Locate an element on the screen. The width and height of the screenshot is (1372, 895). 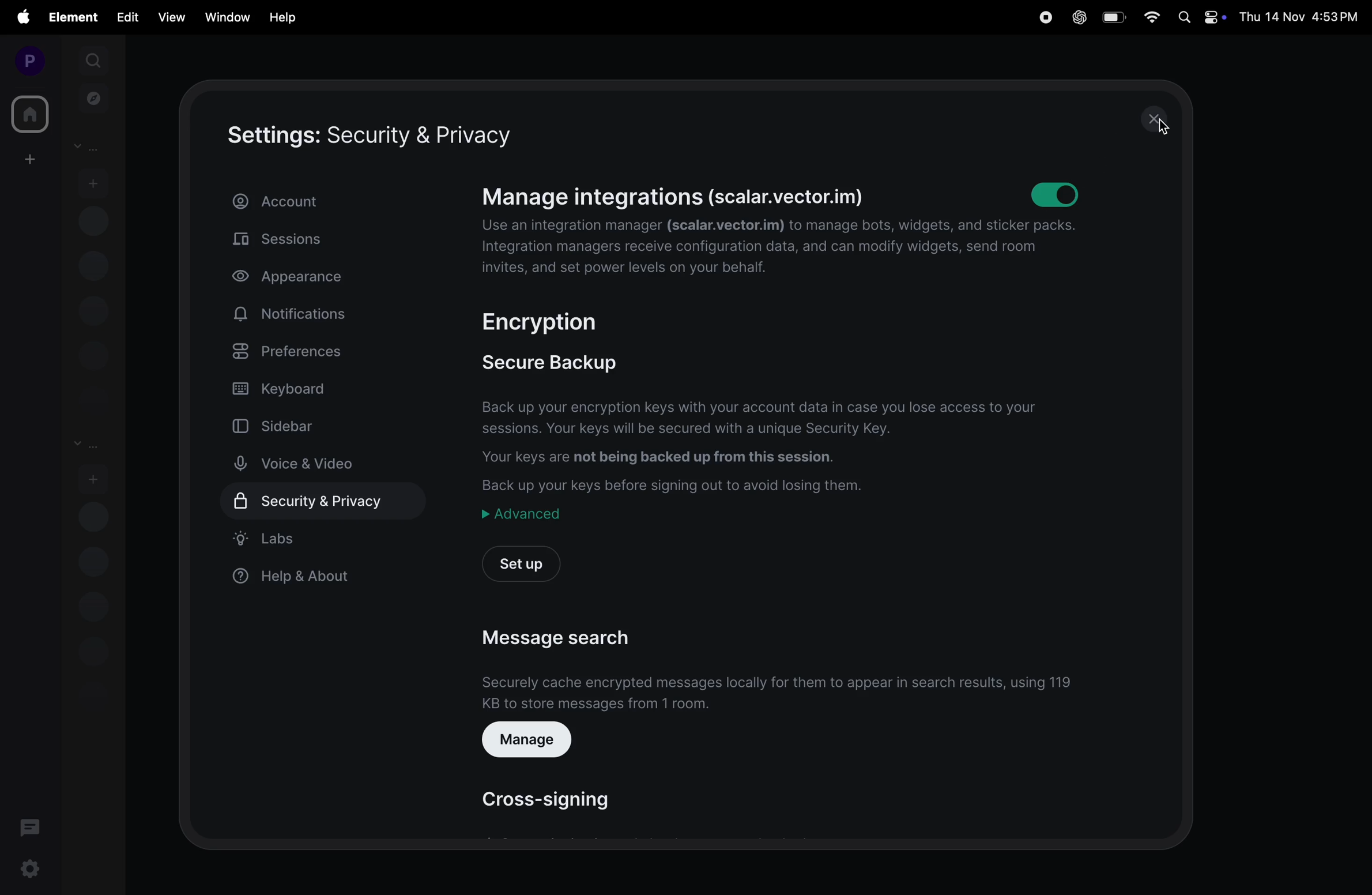
preferences is located at coordinates (283, 354).